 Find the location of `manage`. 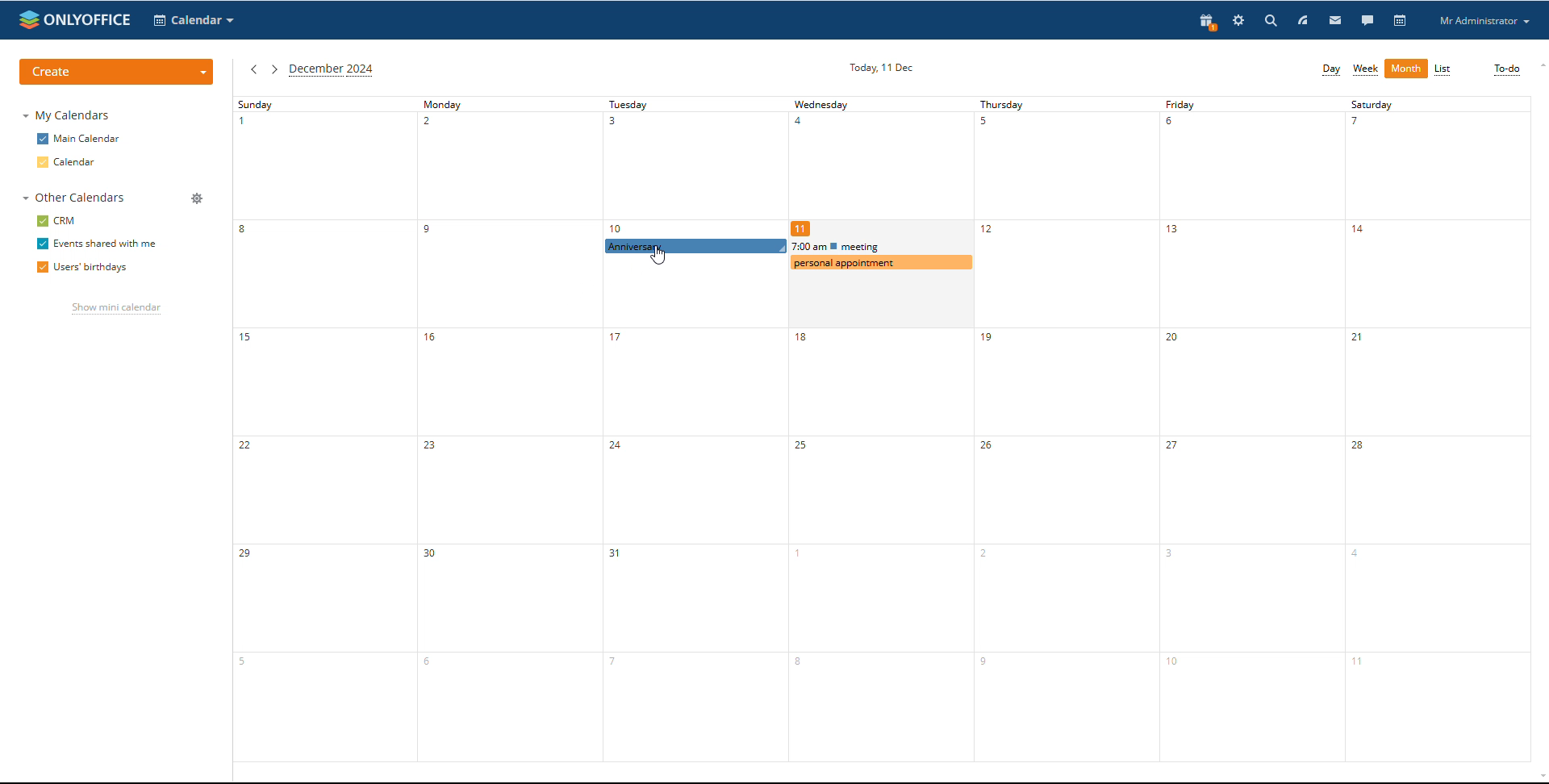

manage is located at coordinates (196, 198).